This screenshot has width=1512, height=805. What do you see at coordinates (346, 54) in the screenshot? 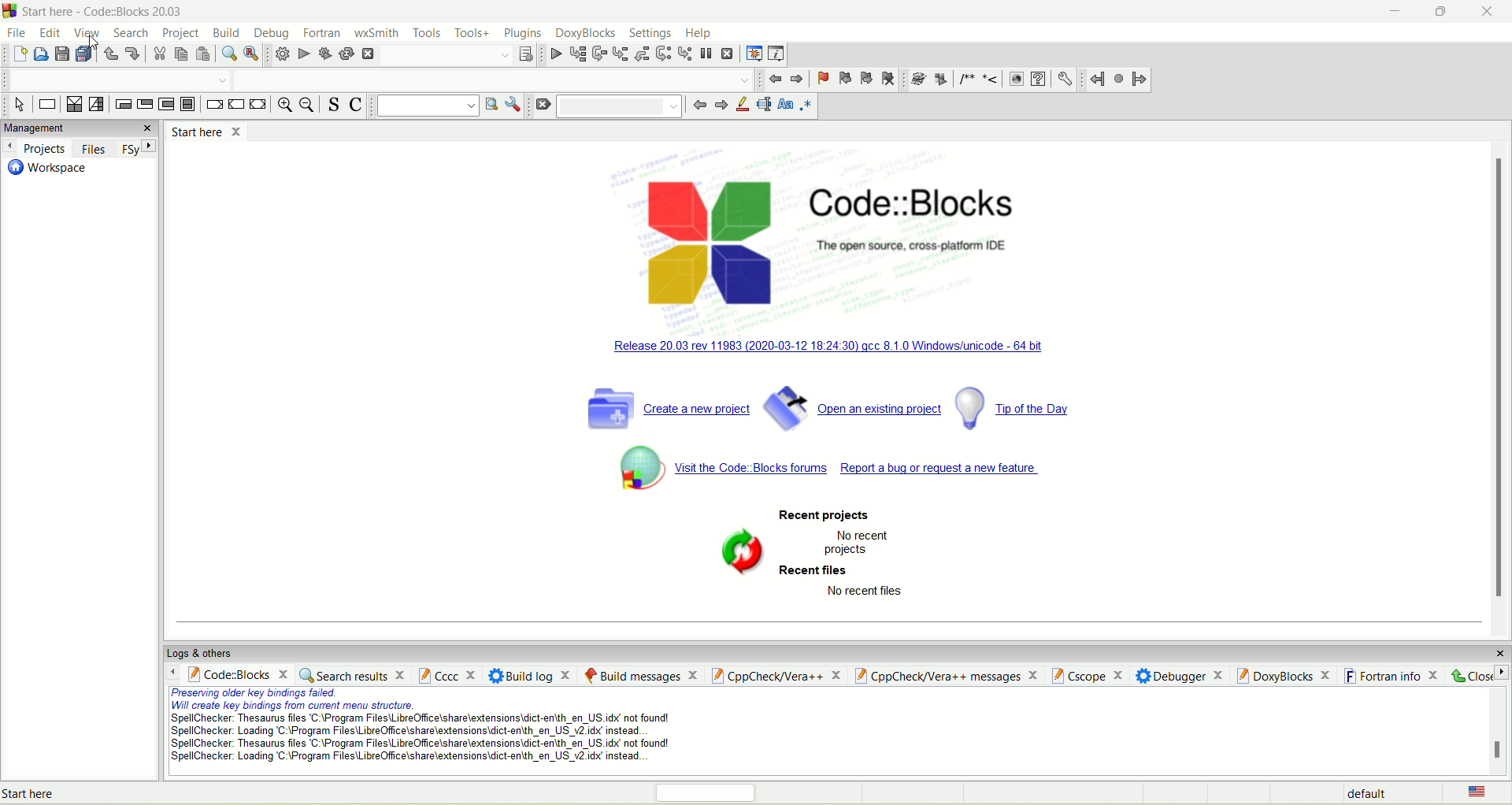
I see `rebuild` at bounding box center [346, 54].